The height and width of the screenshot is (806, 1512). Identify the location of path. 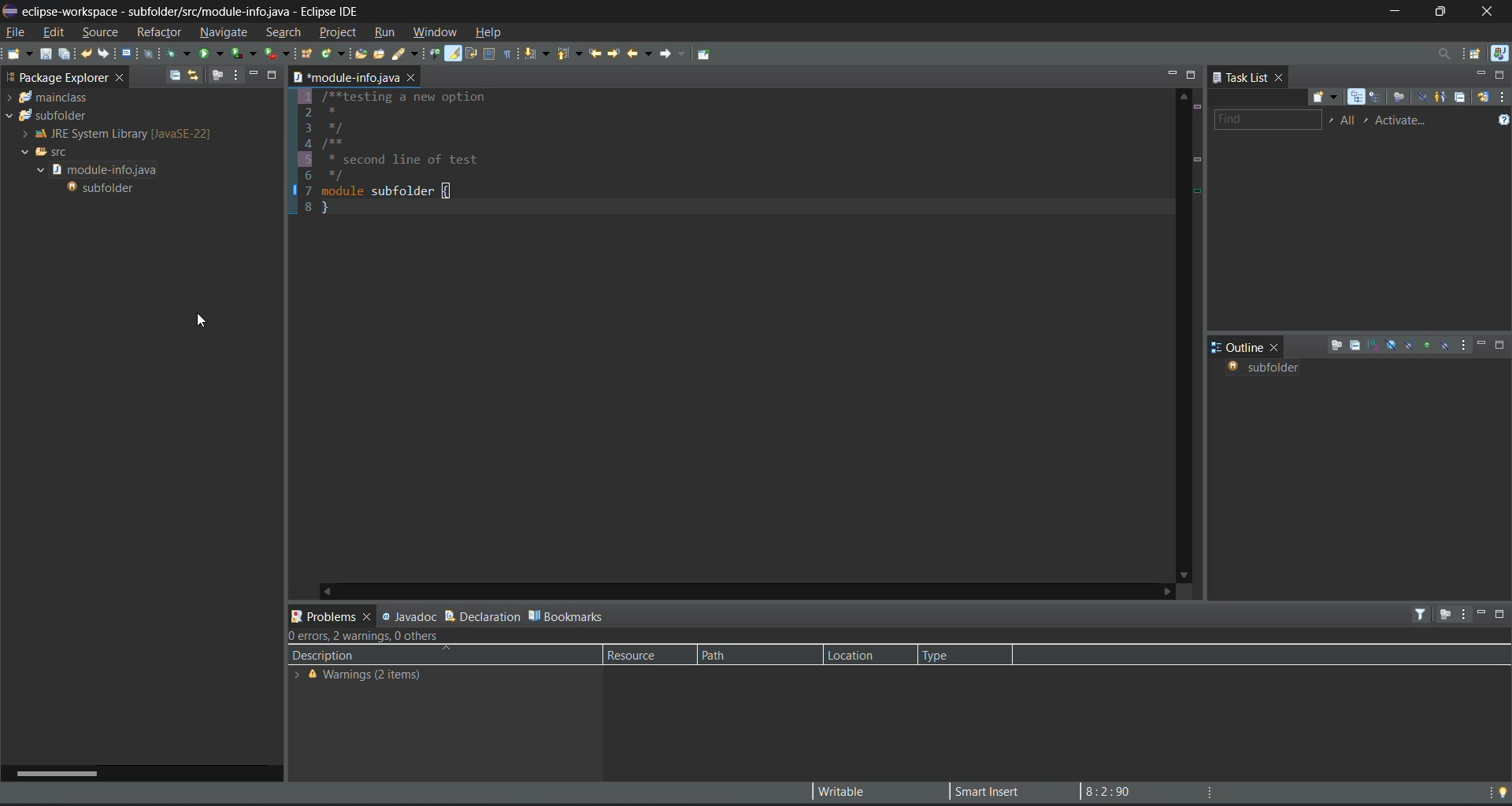
(736, 655).